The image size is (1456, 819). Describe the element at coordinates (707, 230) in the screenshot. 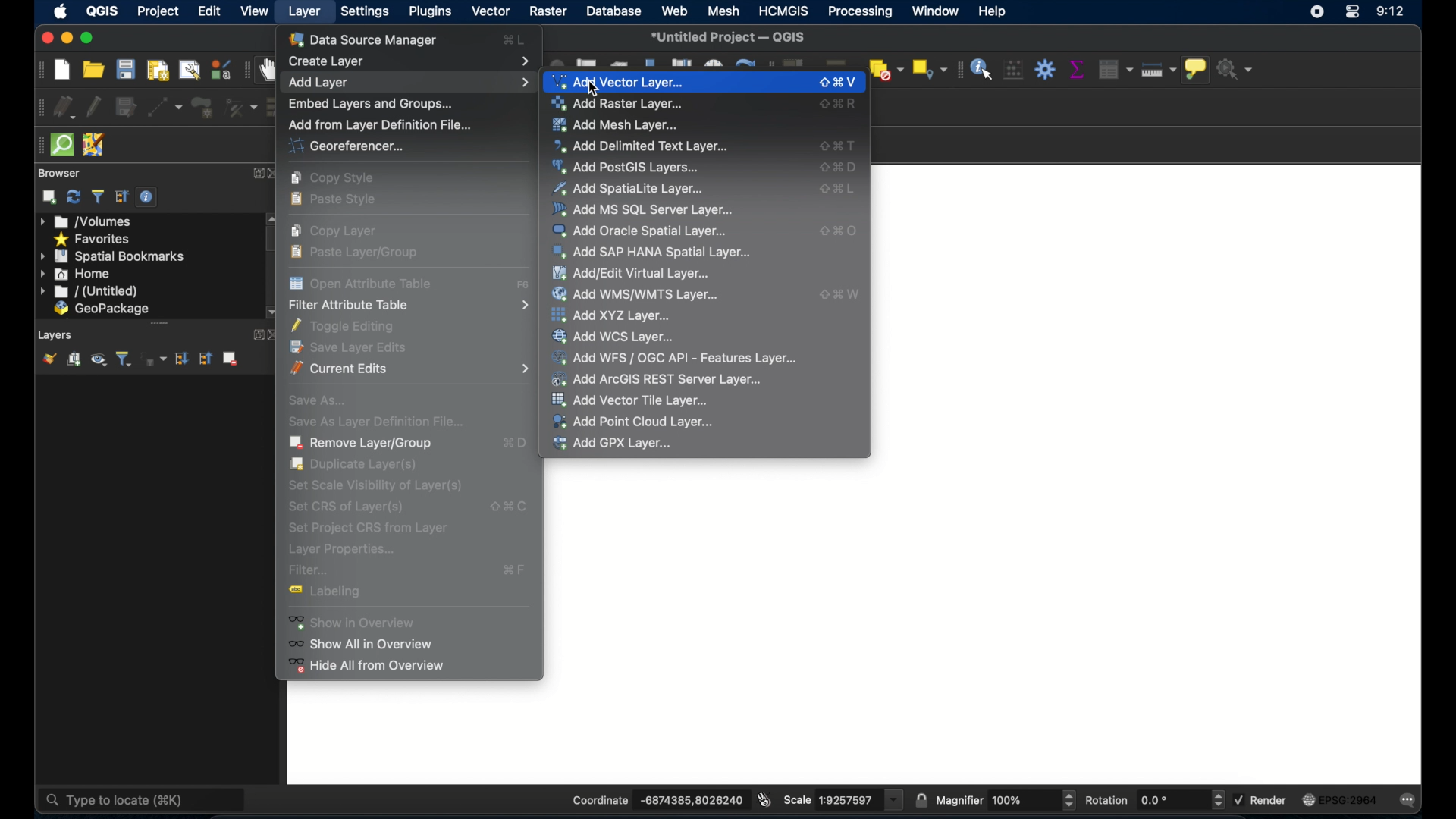

I see `Add Oracle Spatial Layer...` at that location.